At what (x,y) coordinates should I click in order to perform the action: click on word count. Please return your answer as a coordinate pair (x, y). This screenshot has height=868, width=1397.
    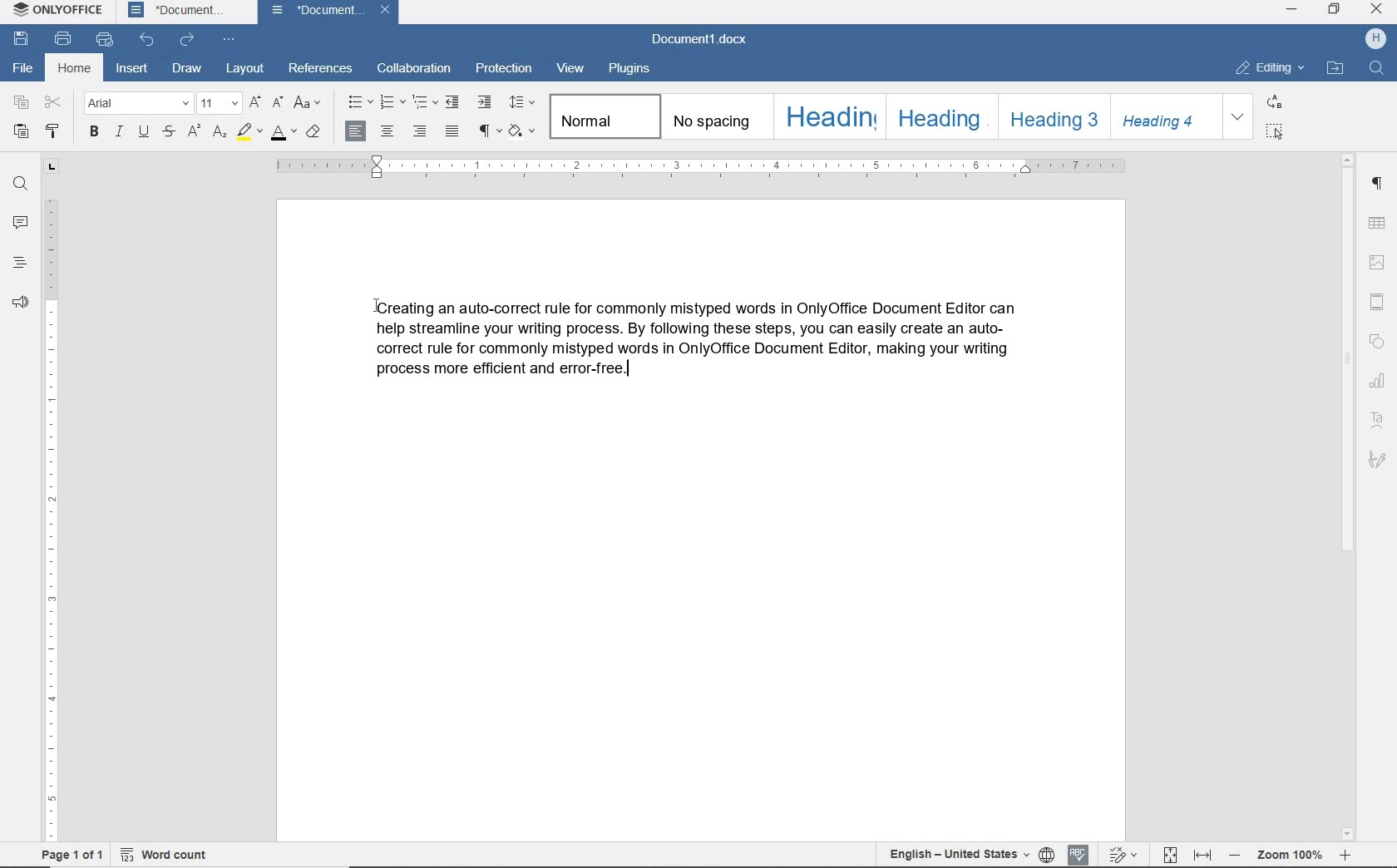
    Looking at the image, I should click on (170, 856).